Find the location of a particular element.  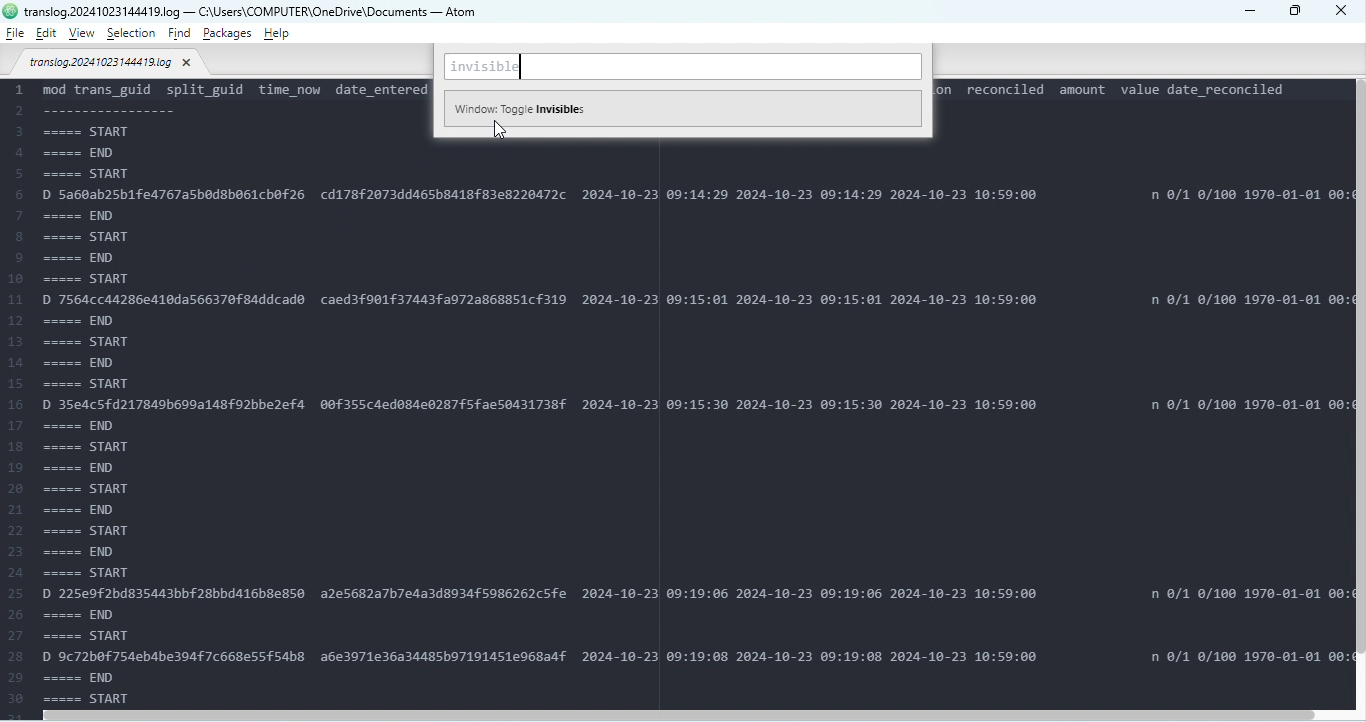

Minimize is located at coordinates (1248, 10).